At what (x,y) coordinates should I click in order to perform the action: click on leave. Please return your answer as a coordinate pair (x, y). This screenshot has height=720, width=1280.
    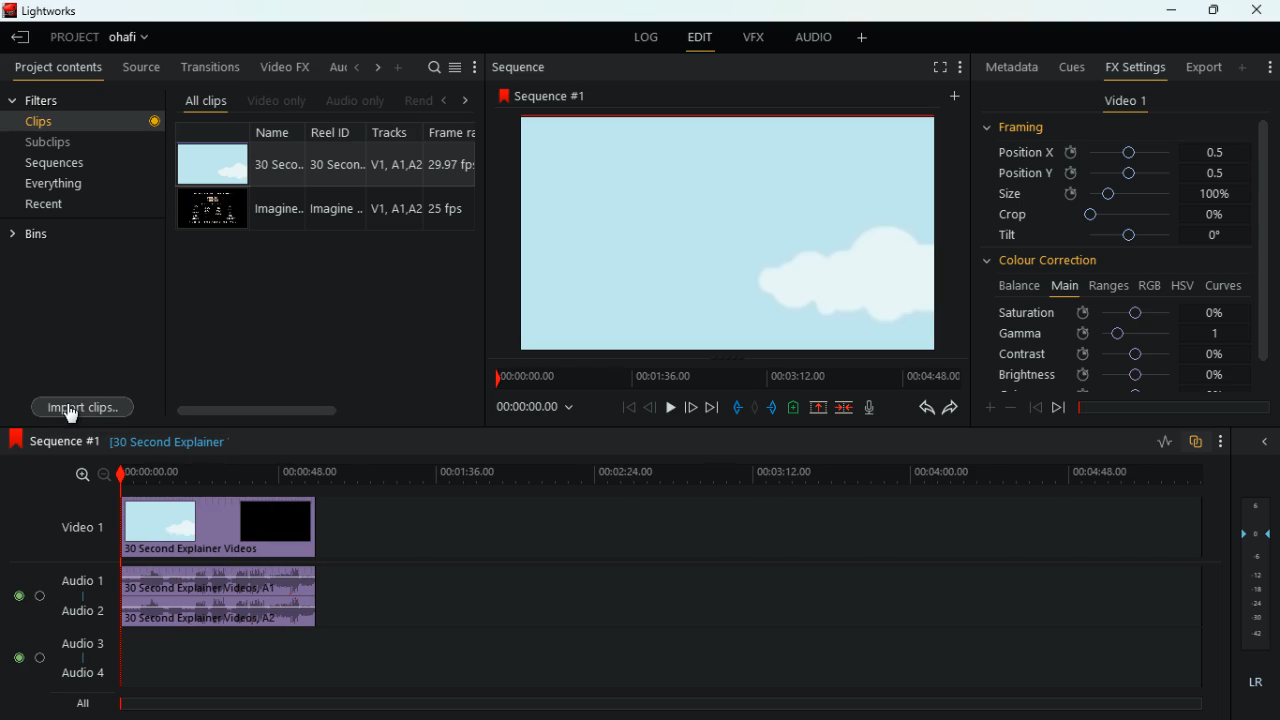
    Looking at the image, I should click on (20, 37).